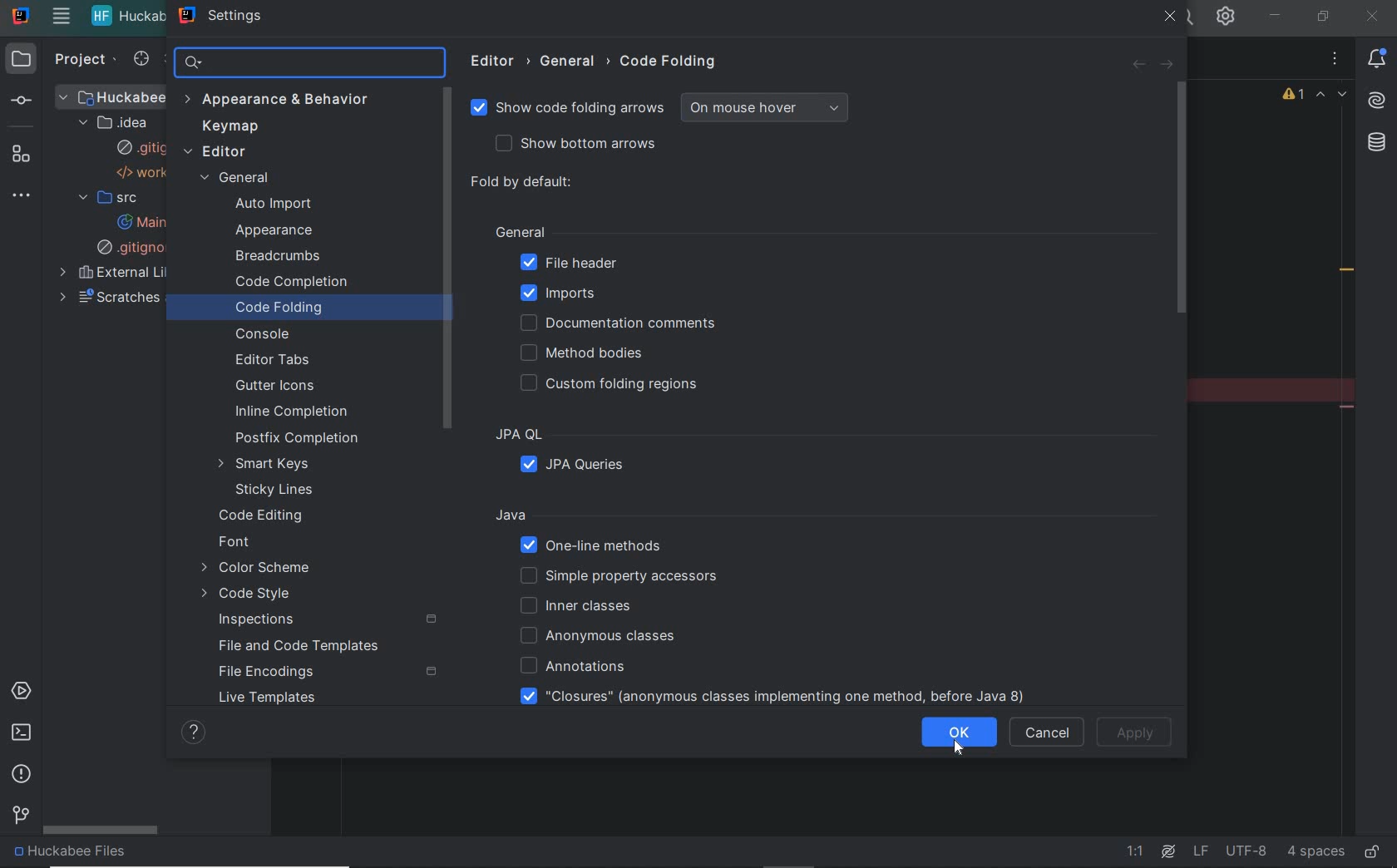 The width and height of the screenshot is (1397, 868). Describe the element at coordinates (137, 274) in the screenshot. I see `external libraries` at that location.